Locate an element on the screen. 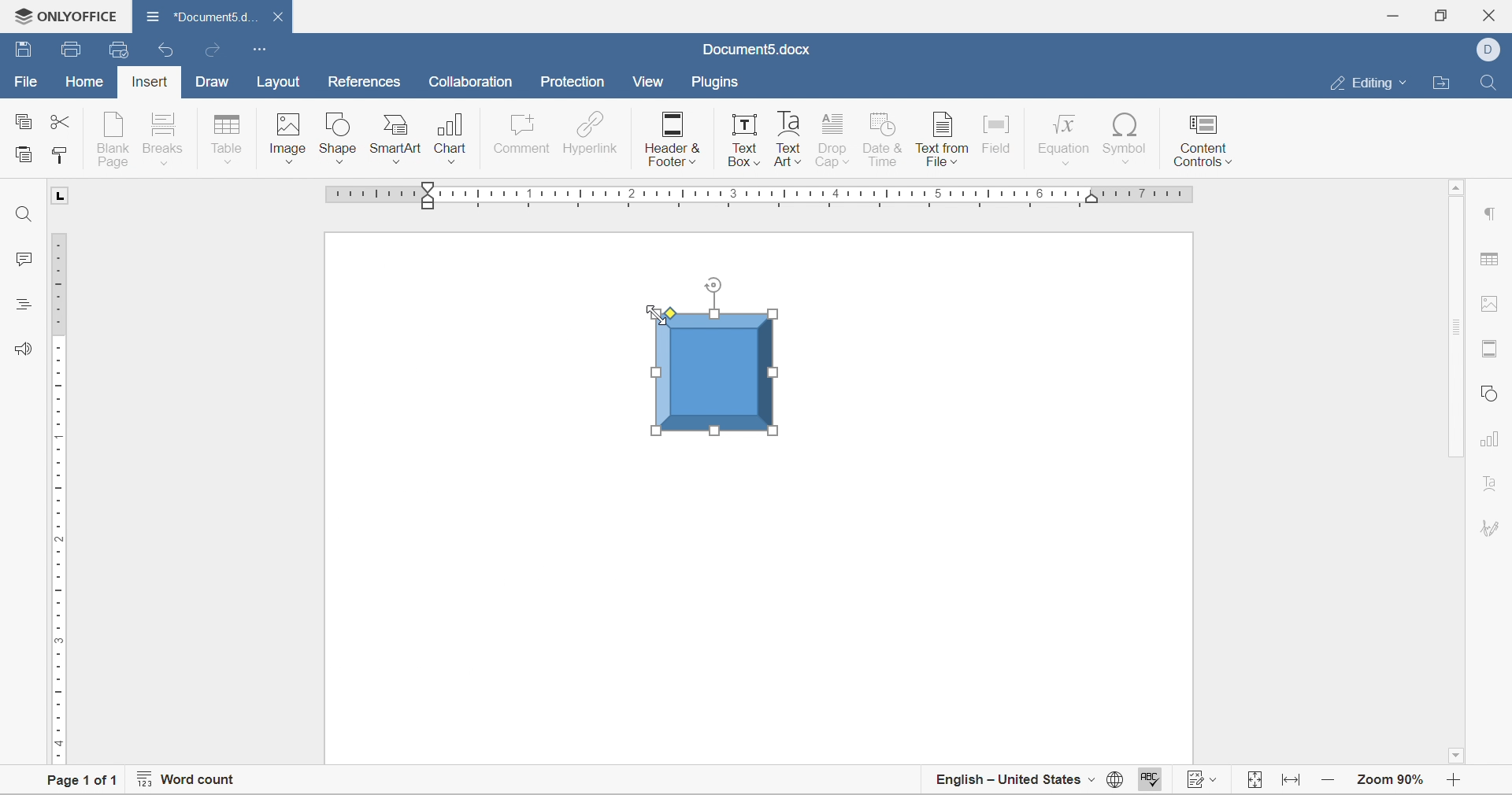  paste is located at coordinates (23, 154).